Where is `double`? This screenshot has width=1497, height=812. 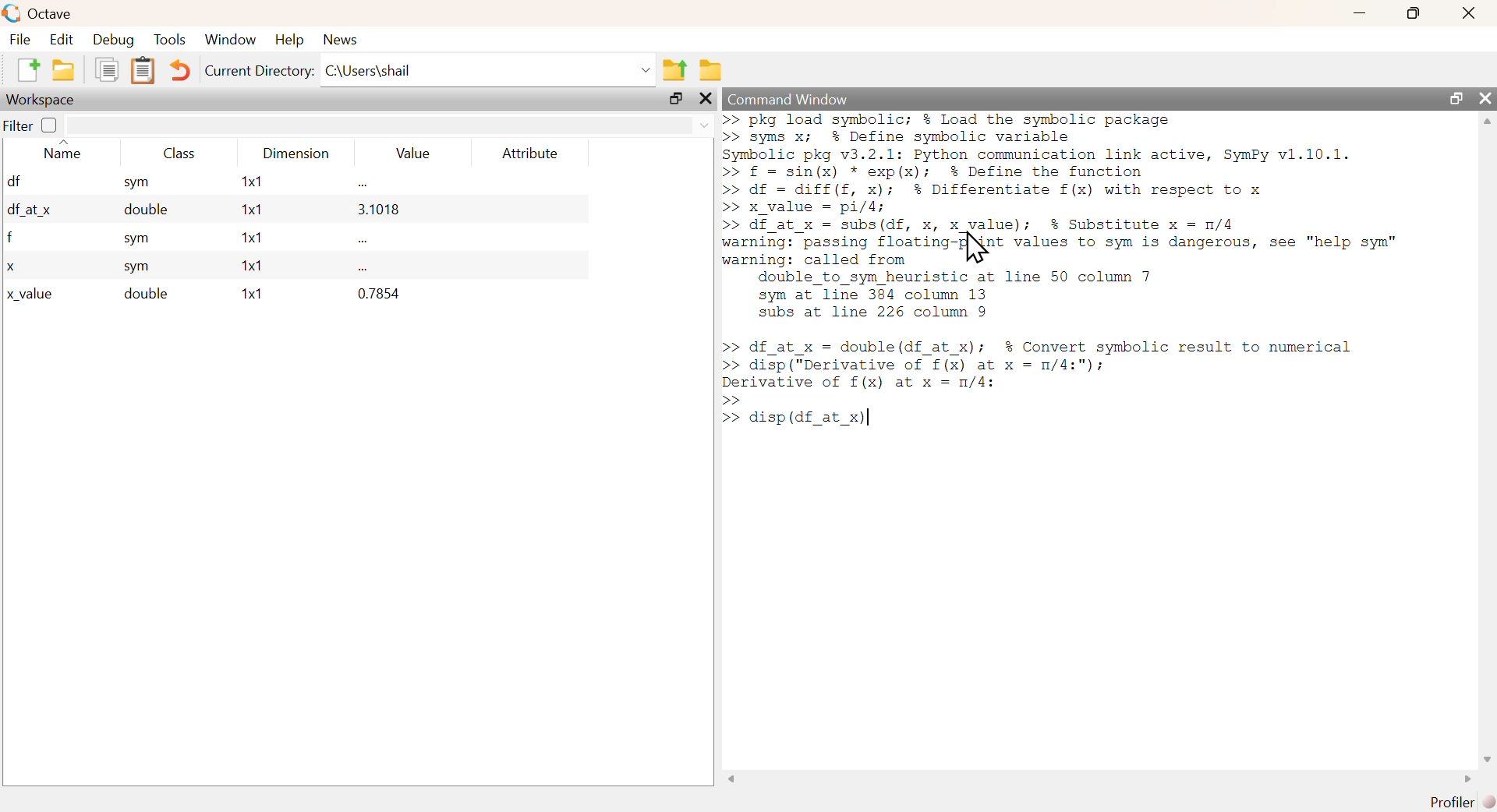 double is located at coordinates (140, 212).